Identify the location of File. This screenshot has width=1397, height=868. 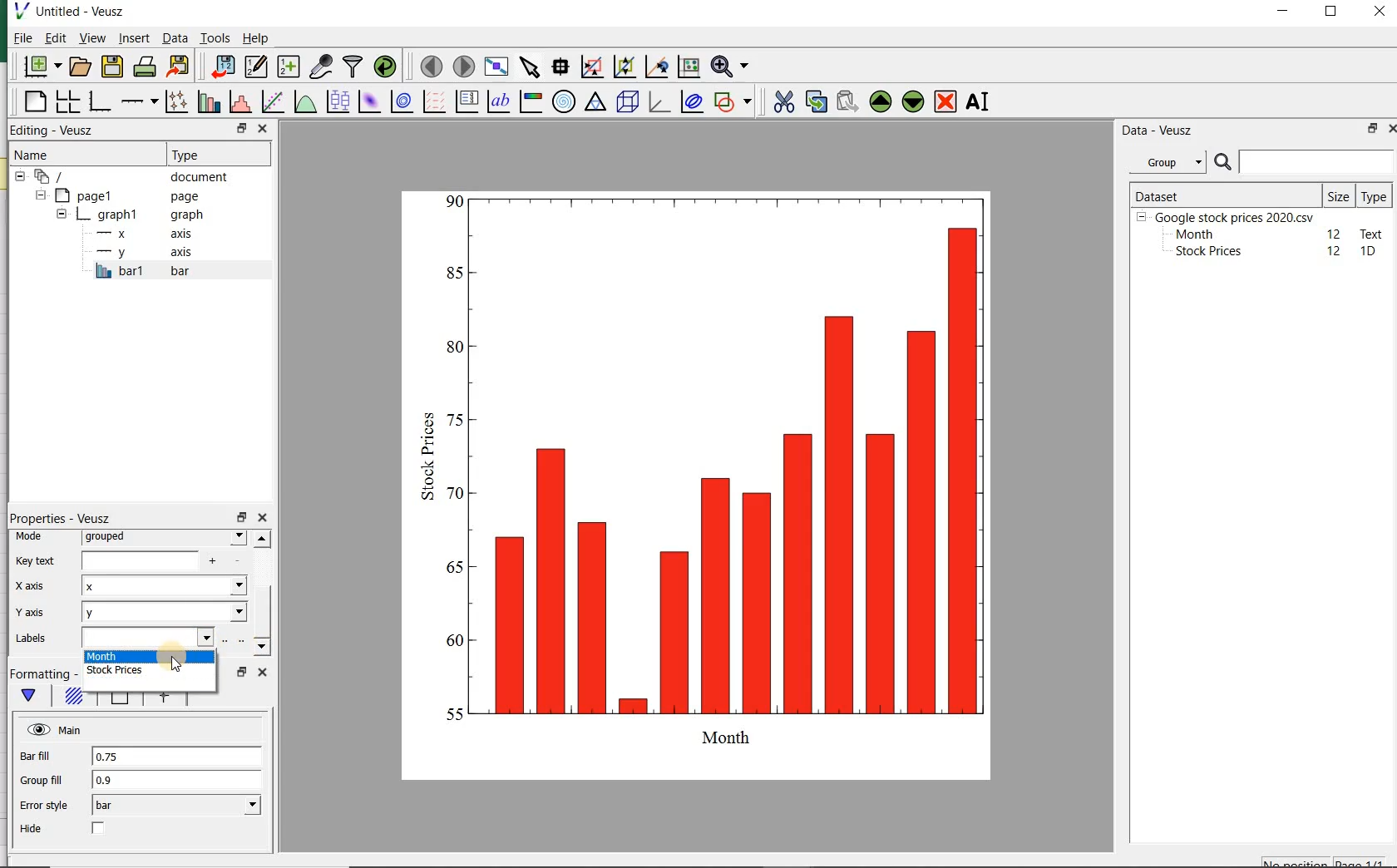
(18, 40).